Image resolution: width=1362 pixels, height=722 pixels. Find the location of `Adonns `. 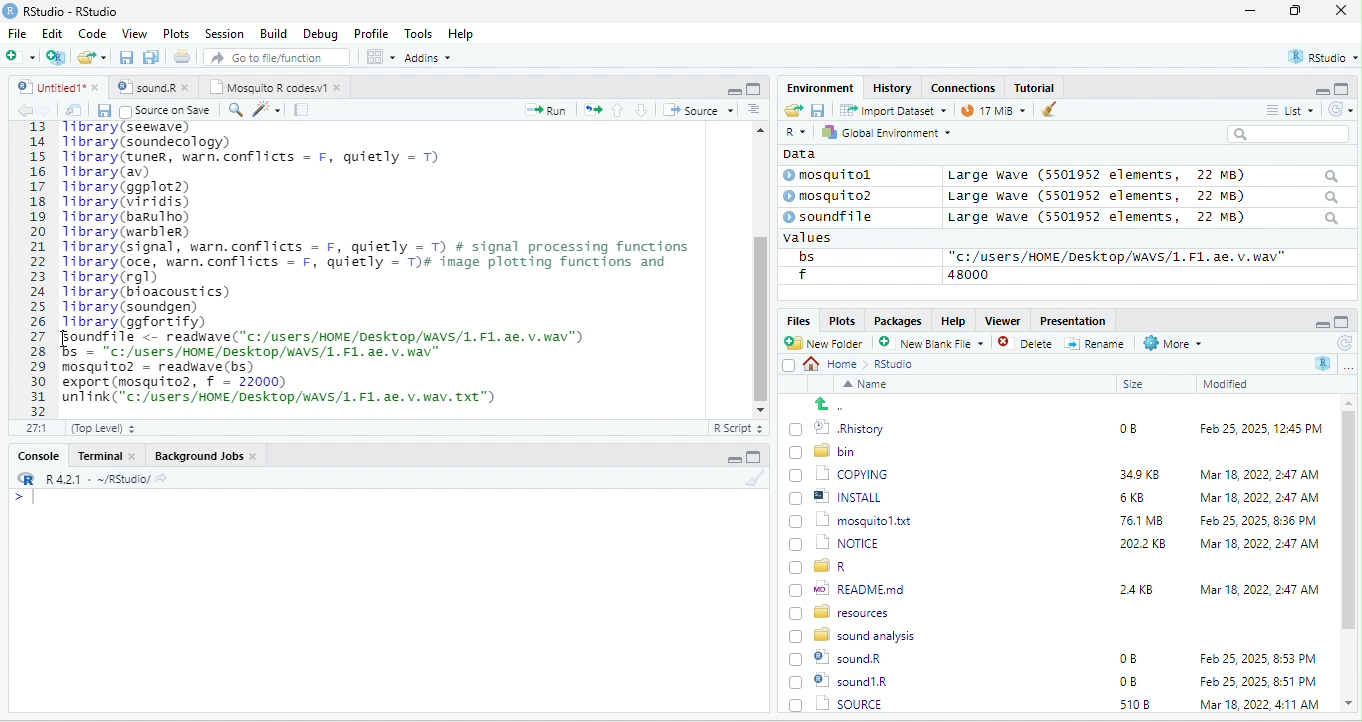

Adonns  is located at coordinates (428, 61).